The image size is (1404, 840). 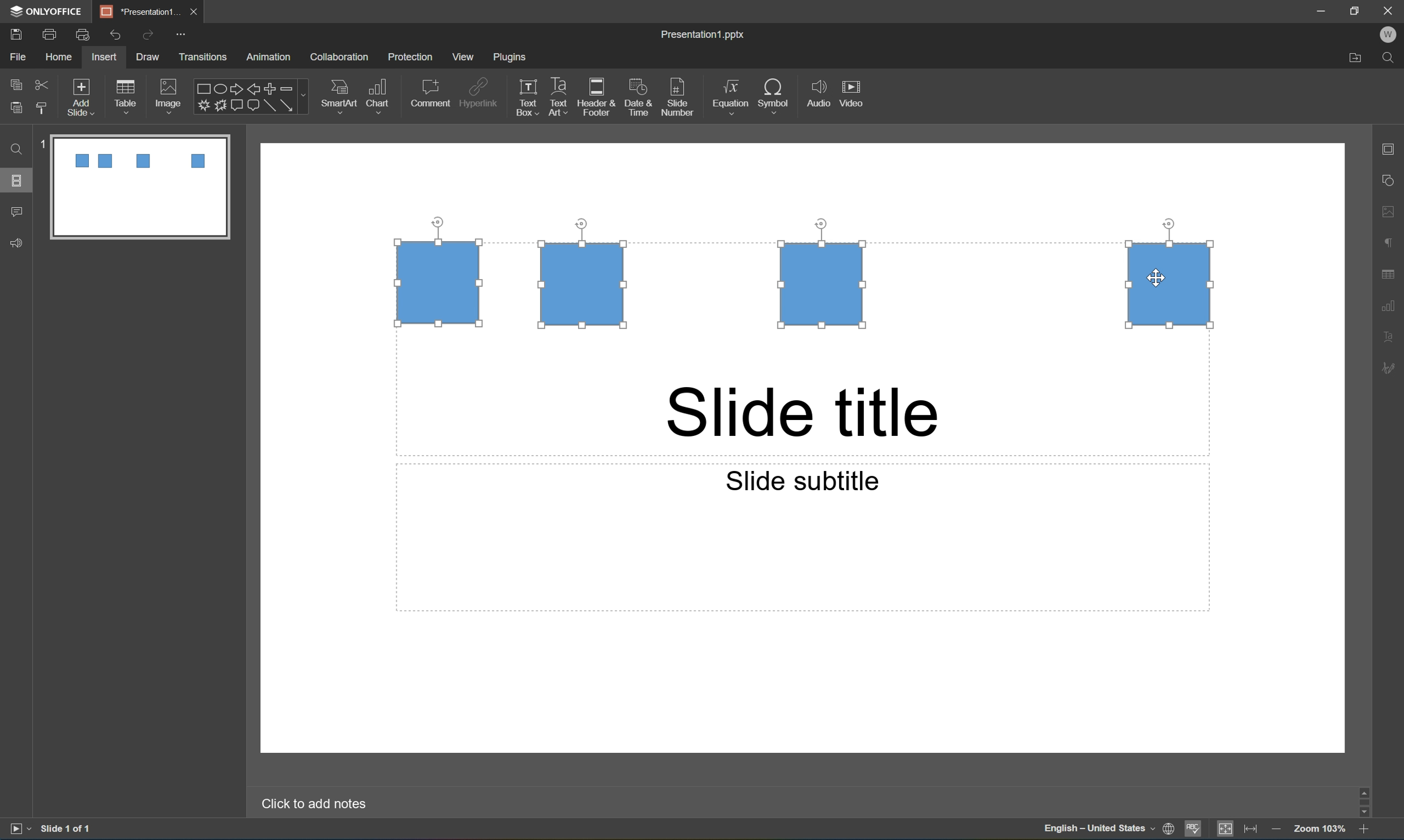 I want to click on symbol, so click(x=774, y=94).